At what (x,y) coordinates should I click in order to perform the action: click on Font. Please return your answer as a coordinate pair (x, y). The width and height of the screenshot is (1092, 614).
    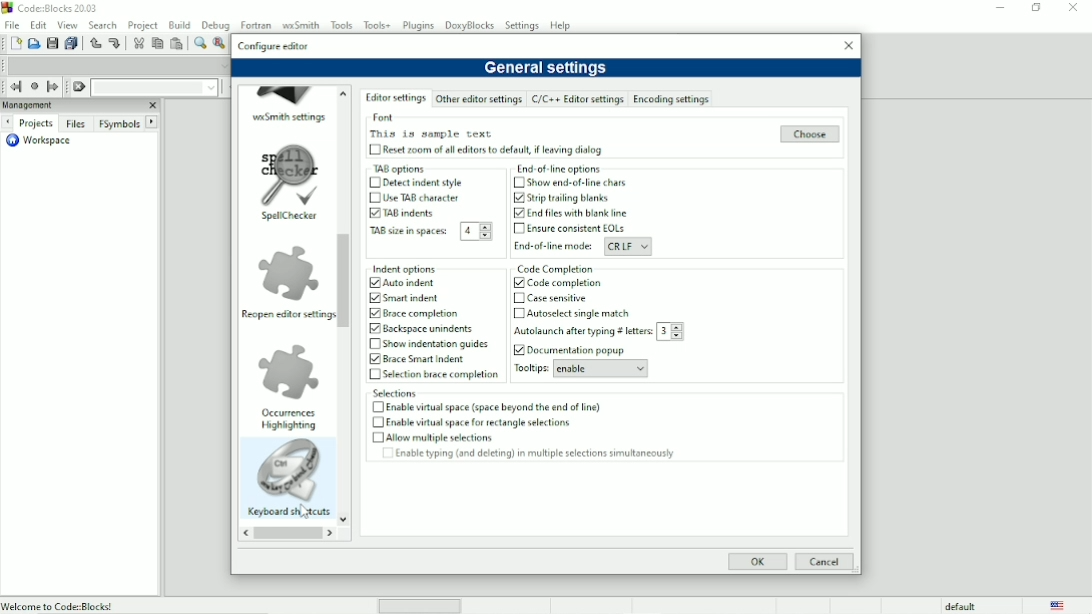
    Looking at the image, I should click on (489, 117).